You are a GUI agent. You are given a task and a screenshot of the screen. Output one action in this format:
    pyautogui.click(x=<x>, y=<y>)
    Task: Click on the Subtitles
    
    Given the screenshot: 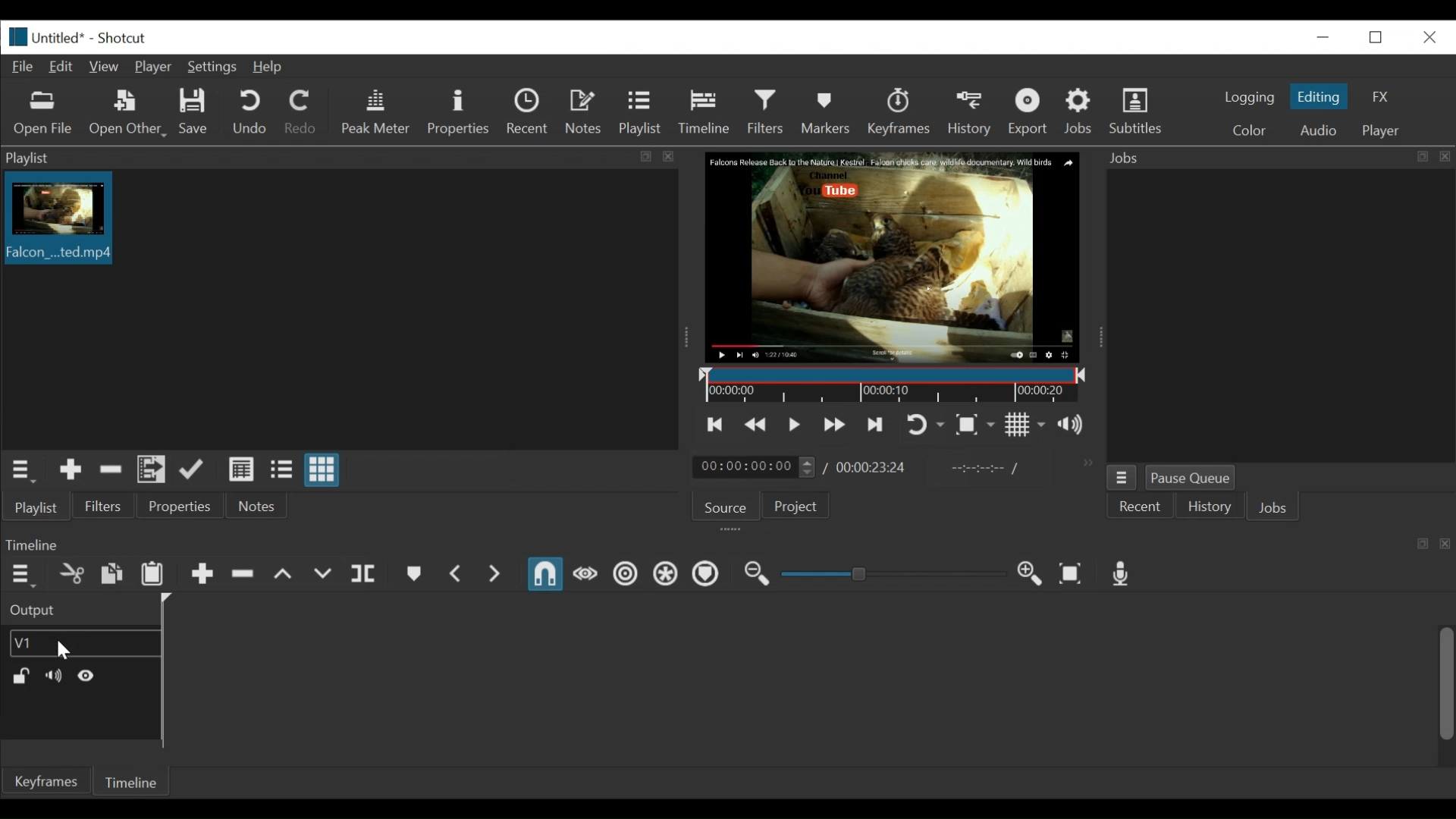 What is the action you would take?
    pyautogui.click(x=1138, y=111)
    